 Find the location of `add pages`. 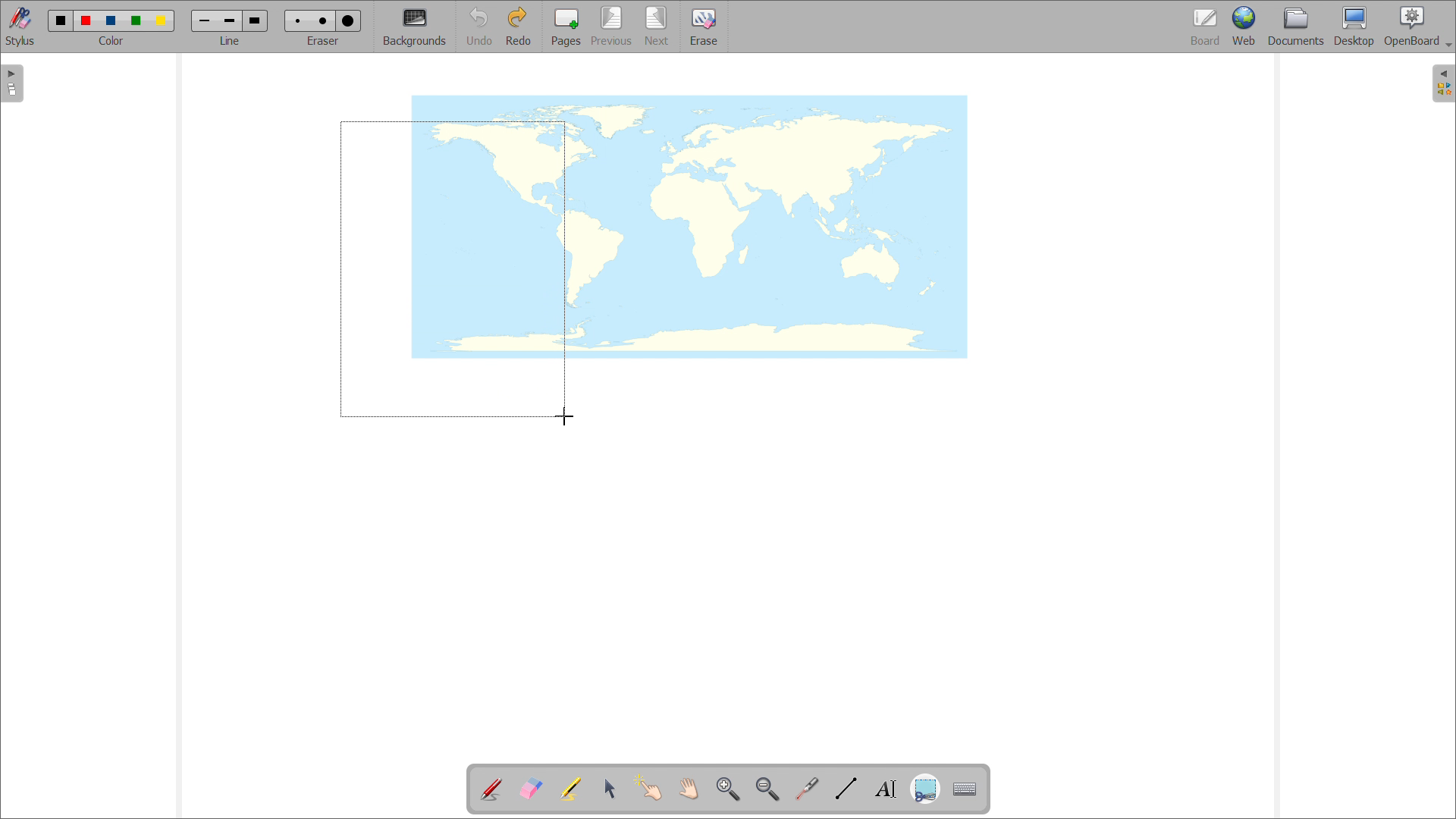

add pages is located at coordinates (566, 27).